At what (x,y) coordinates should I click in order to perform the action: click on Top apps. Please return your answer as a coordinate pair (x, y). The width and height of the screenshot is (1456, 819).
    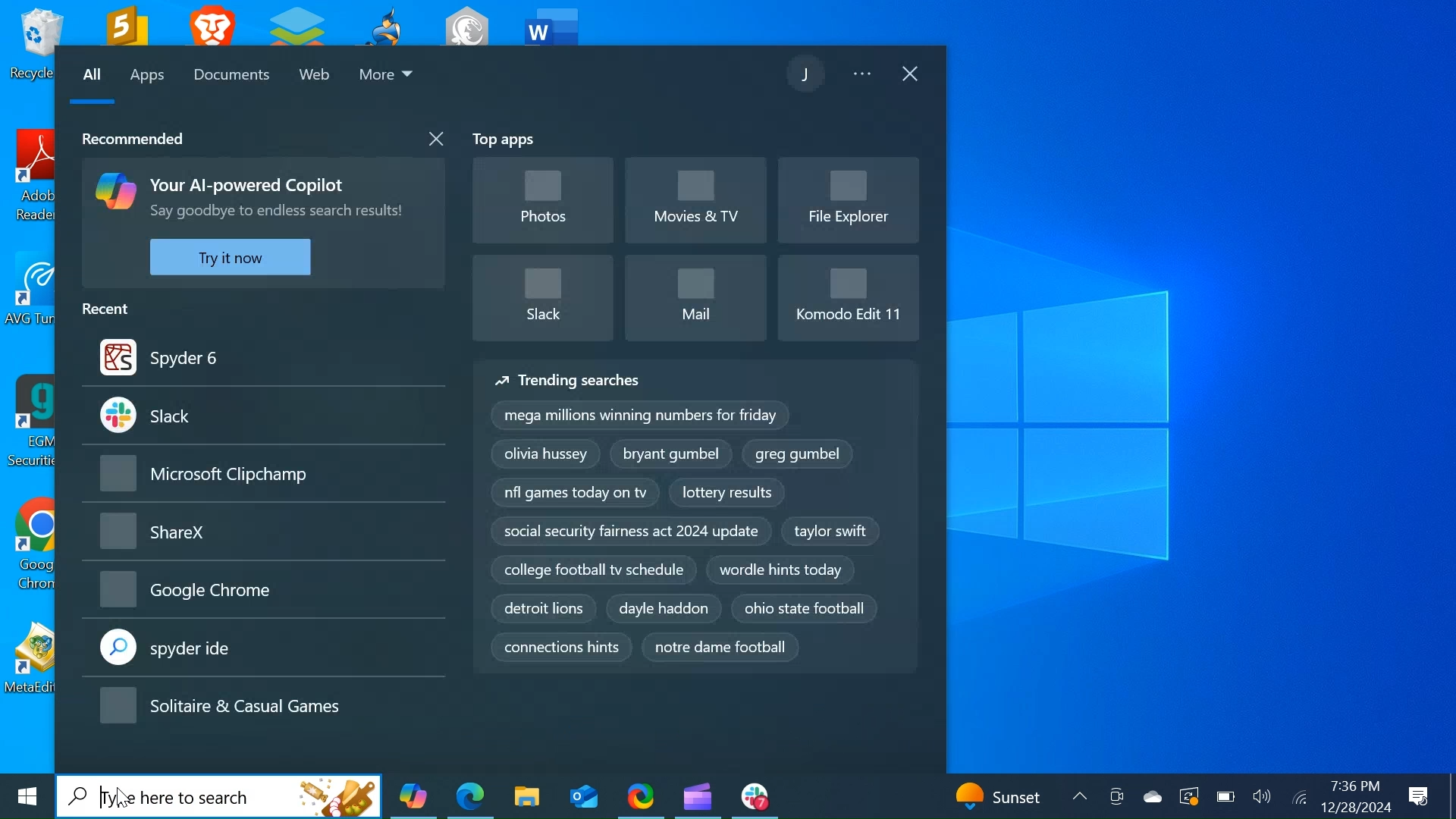
    Looking at the image, I should click on (506, 141).